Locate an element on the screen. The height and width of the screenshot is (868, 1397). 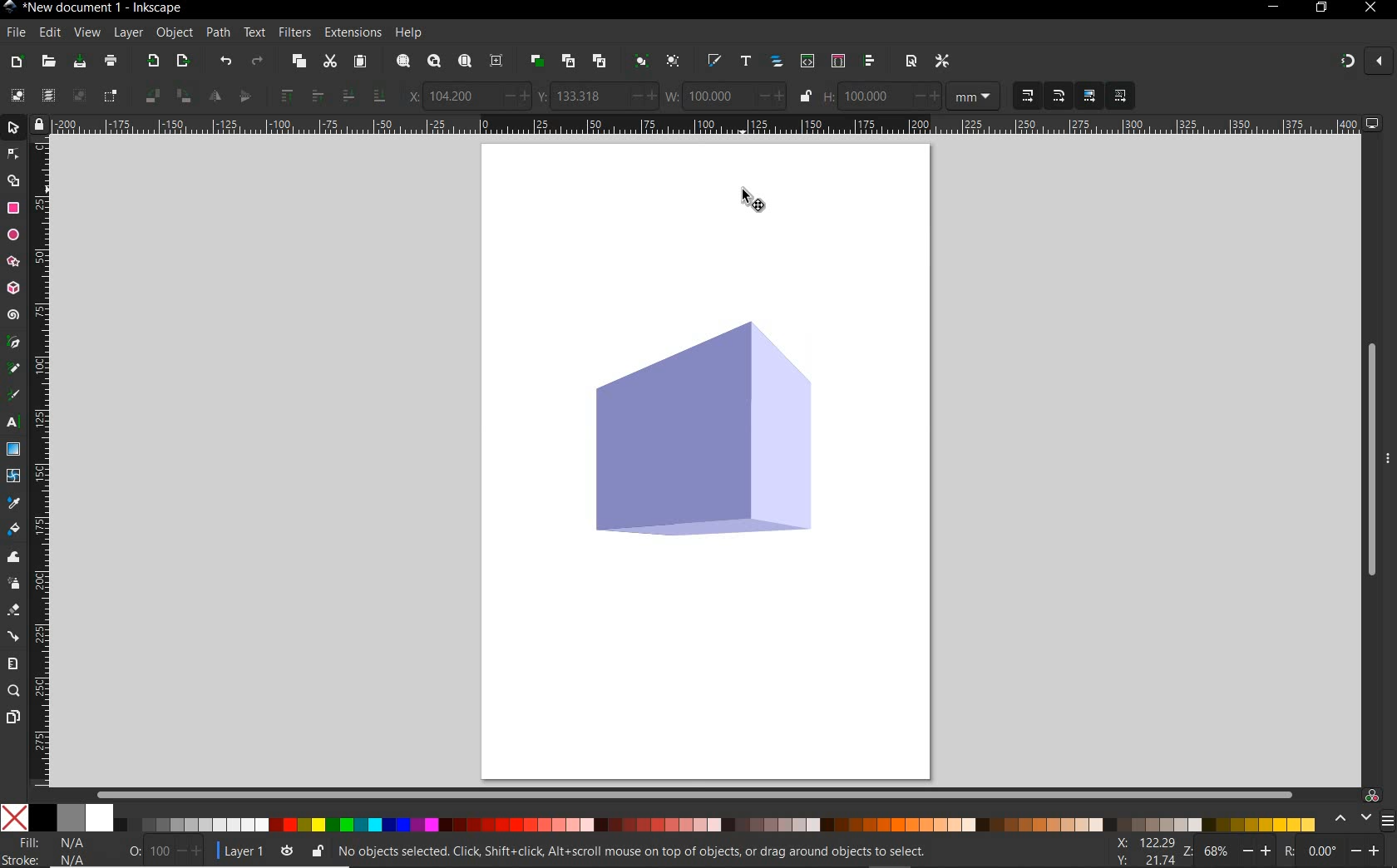
redo is located at coordinates (258, 60).